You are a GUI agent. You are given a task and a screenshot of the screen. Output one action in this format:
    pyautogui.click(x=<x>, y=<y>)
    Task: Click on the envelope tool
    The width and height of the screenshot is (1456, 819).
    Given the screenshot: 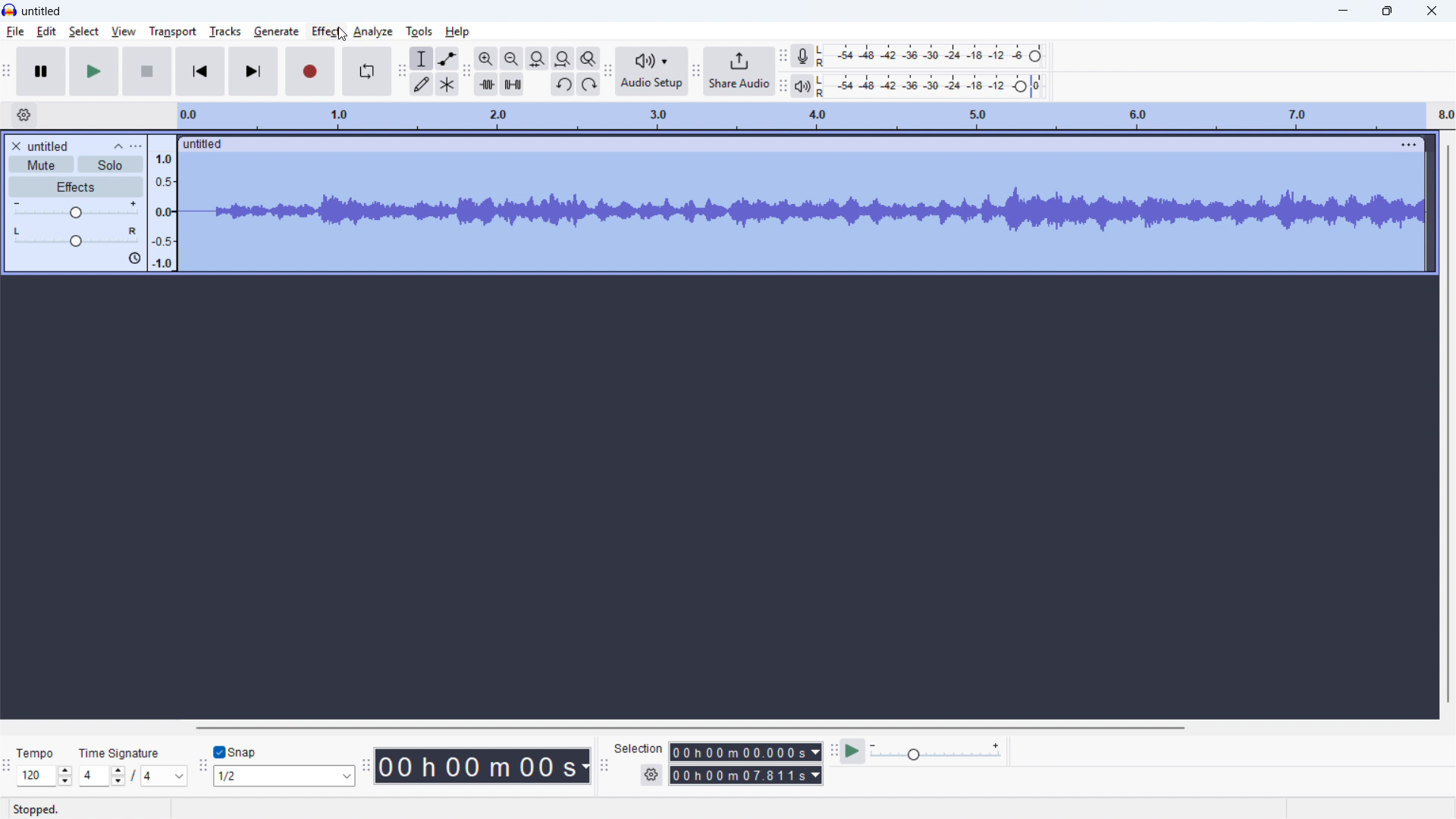 What is the action you would take?
    pyautogui.click(x=447, y=58)
    